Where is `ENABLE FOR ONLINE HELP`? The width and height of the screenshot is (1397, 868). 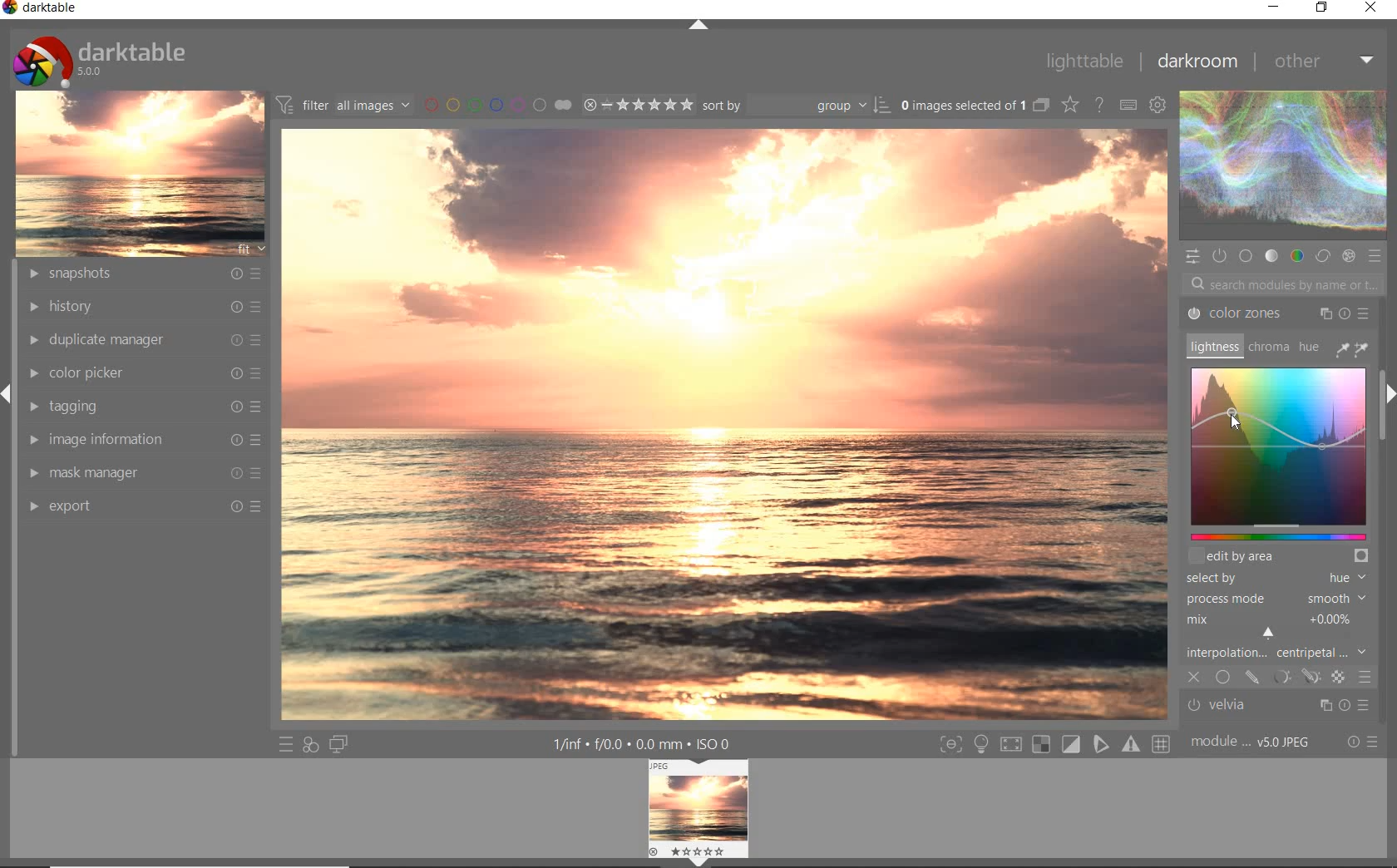 ENABLE FOR ONLINE HELP is located at coordinates (1102, 104).